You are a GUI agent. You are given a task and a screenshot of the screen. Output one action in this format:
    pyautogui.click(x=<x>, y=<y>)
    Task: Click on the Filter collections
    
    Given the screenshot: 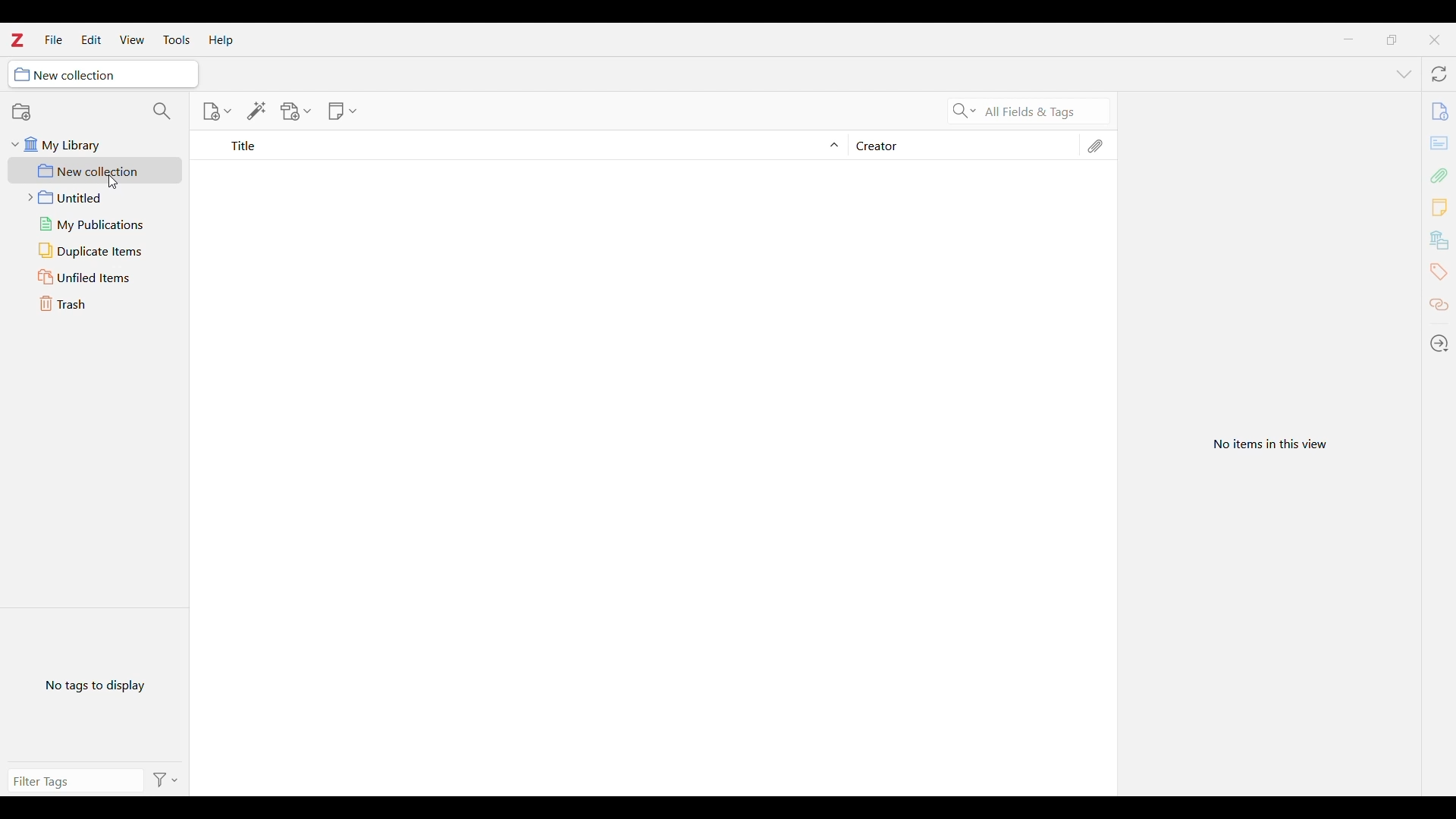 What is the action you would take?
    pyautogui.click(x=163, y=111)
    